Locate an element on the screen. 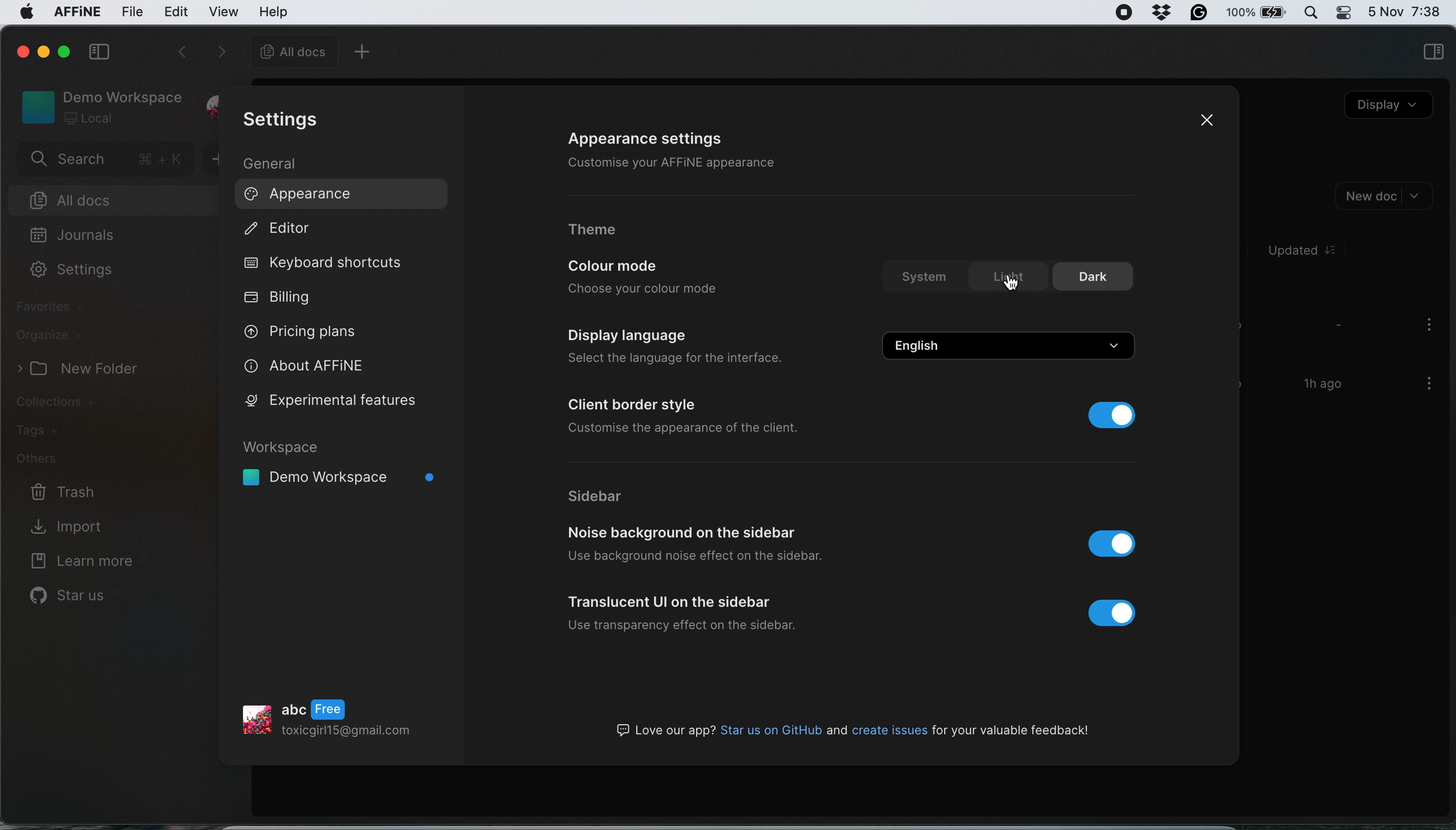 This screenshot has width=1456, height=830. noise background on the sidebar is located at coordinates (688, 532).